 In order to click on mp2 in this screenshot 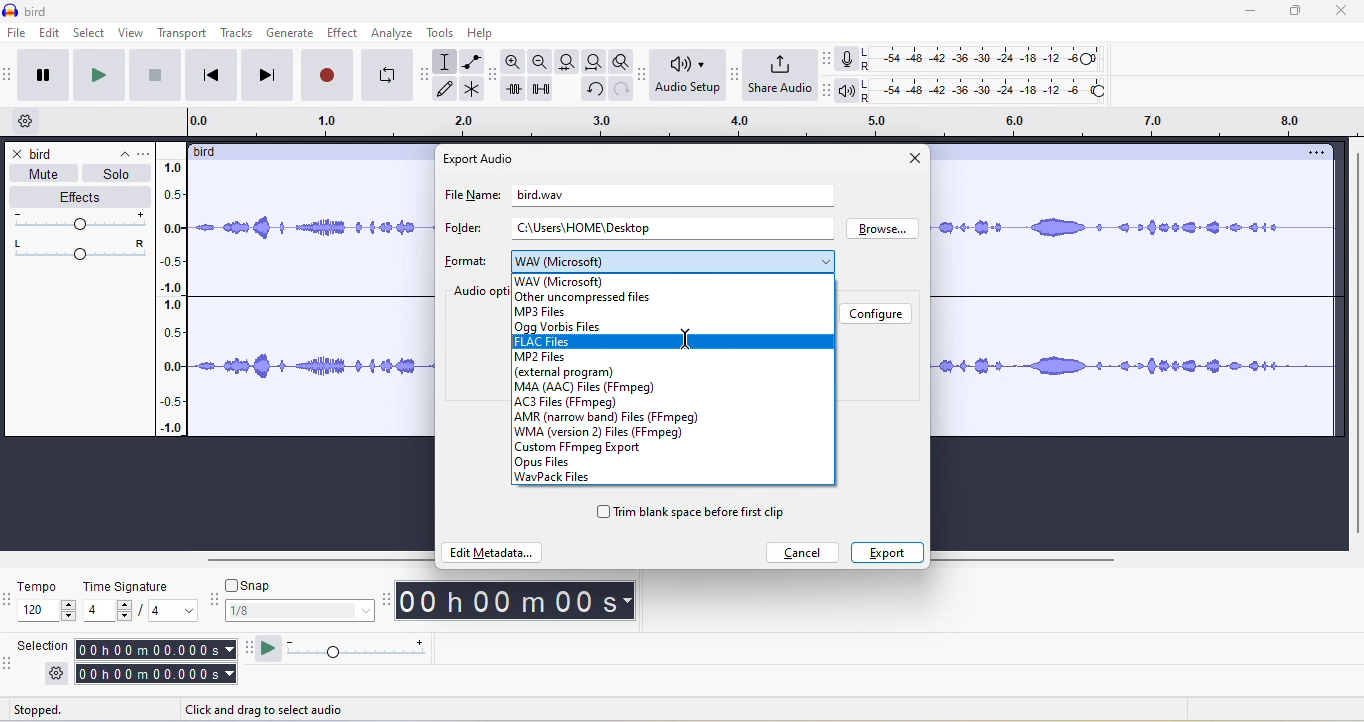, I will do `click(553, 358)`.